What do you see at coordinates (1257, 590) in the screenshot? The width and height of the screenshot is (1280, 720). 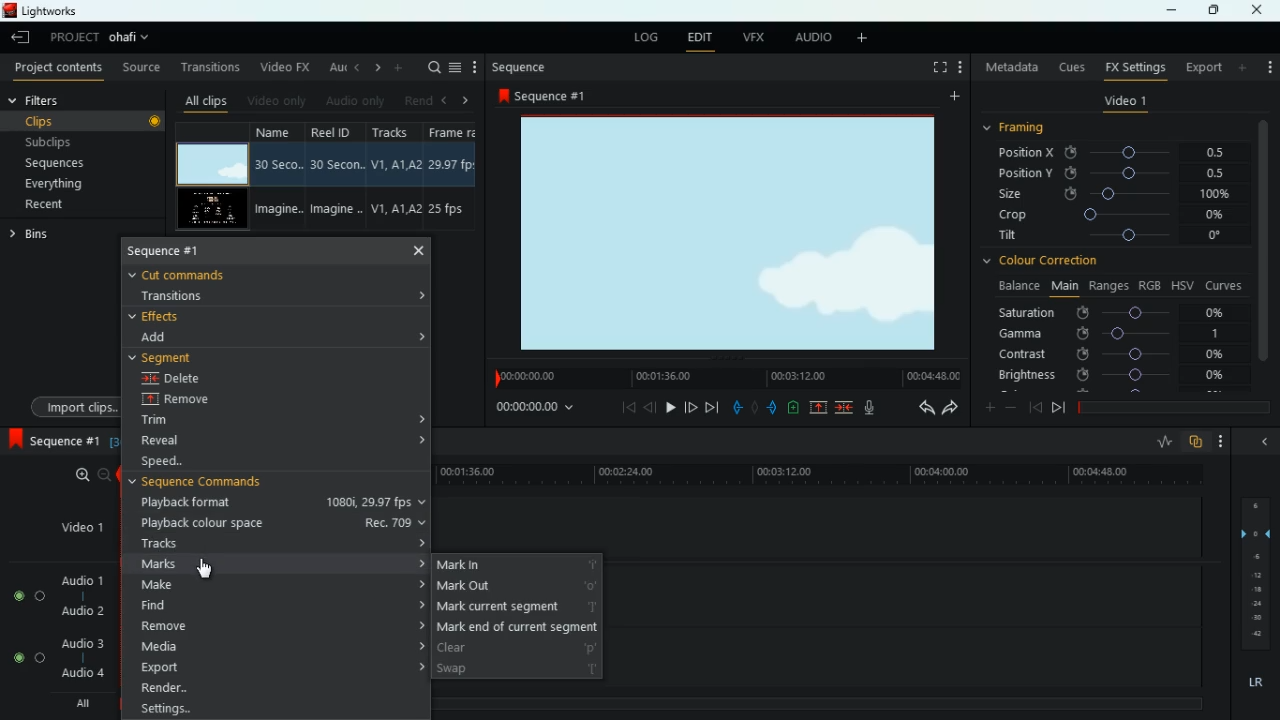 I see `-18 (layer)` at bounding box center [1257, 590].